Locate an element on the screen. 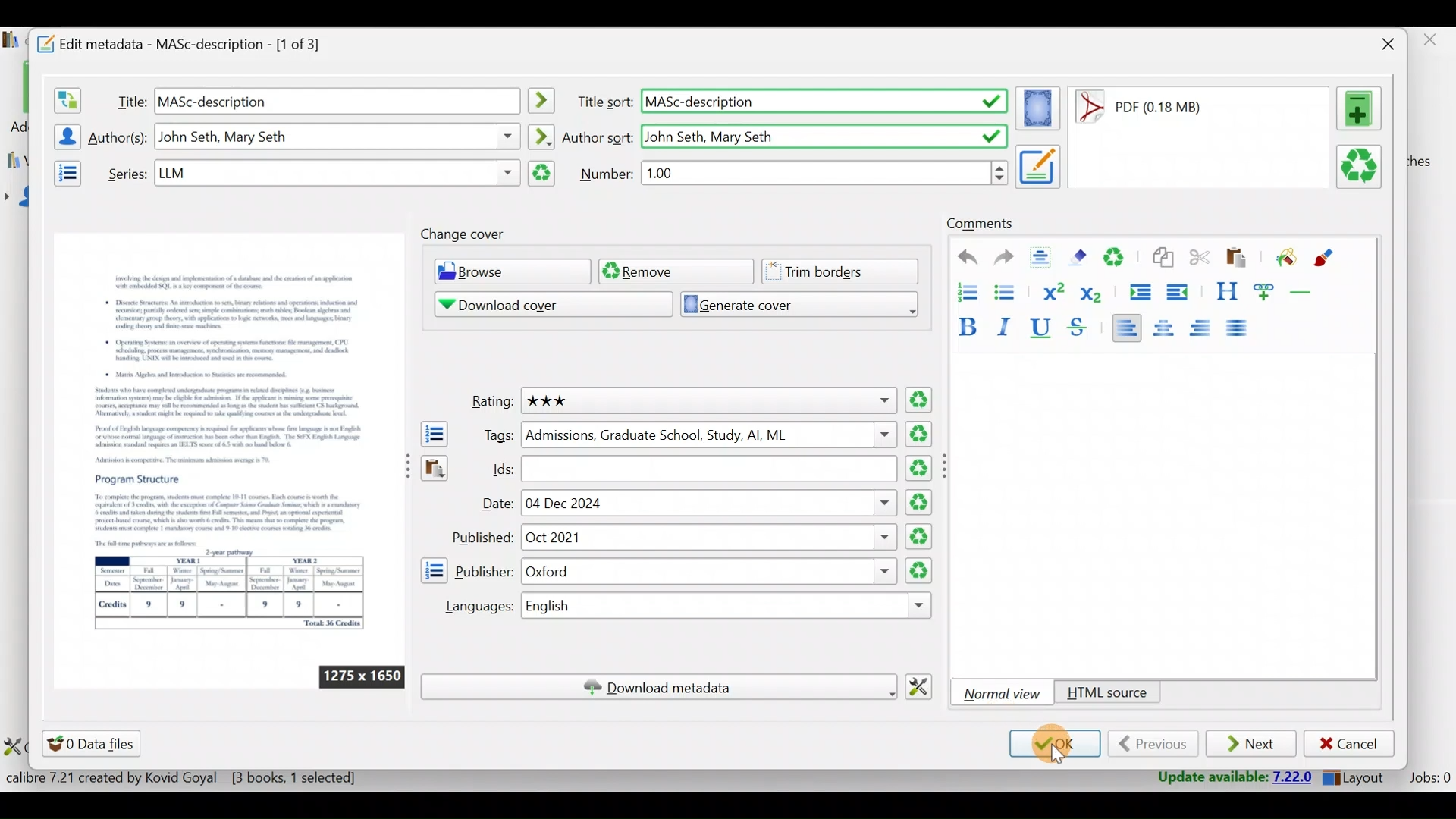 Image resolution: width=1456 pixels, height=819 pixels.  is located at coordinates (544, 101).